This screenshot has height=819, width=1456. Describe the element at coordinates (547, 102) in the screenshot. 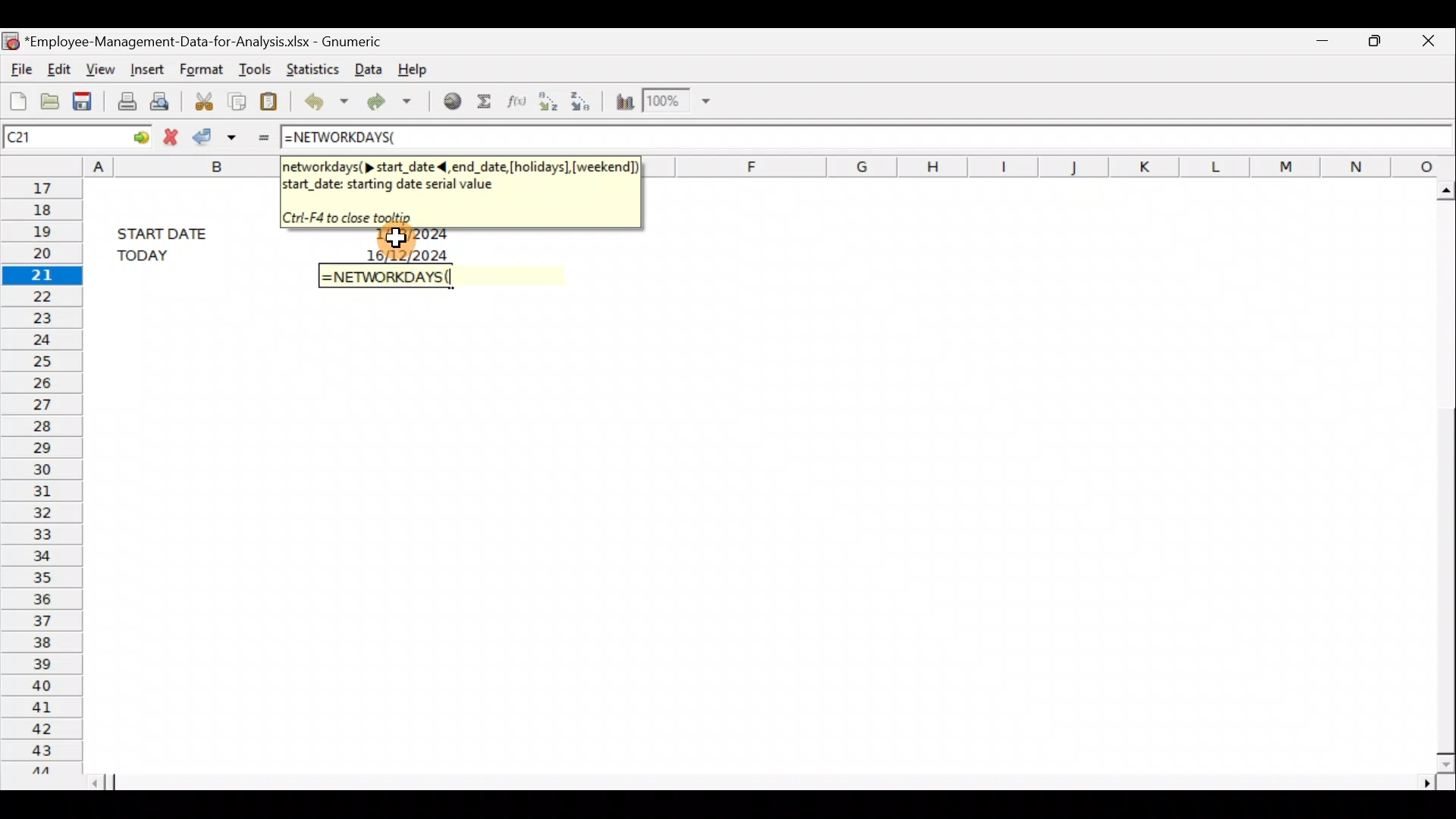

I see `Sort in Ascending order` at that location.